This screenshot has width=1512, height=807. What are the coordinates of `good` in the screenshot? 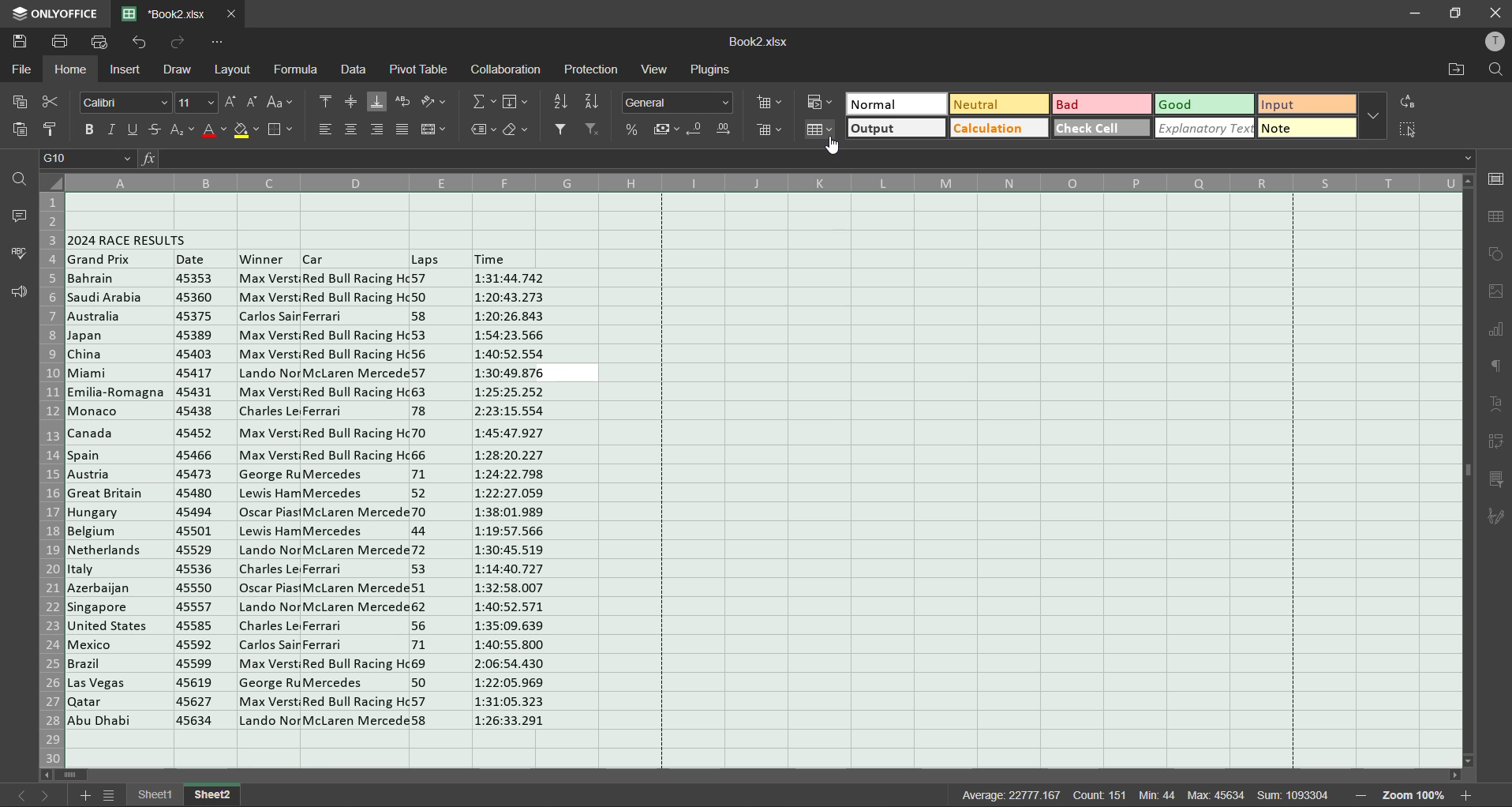 It's located at (1204, 104).